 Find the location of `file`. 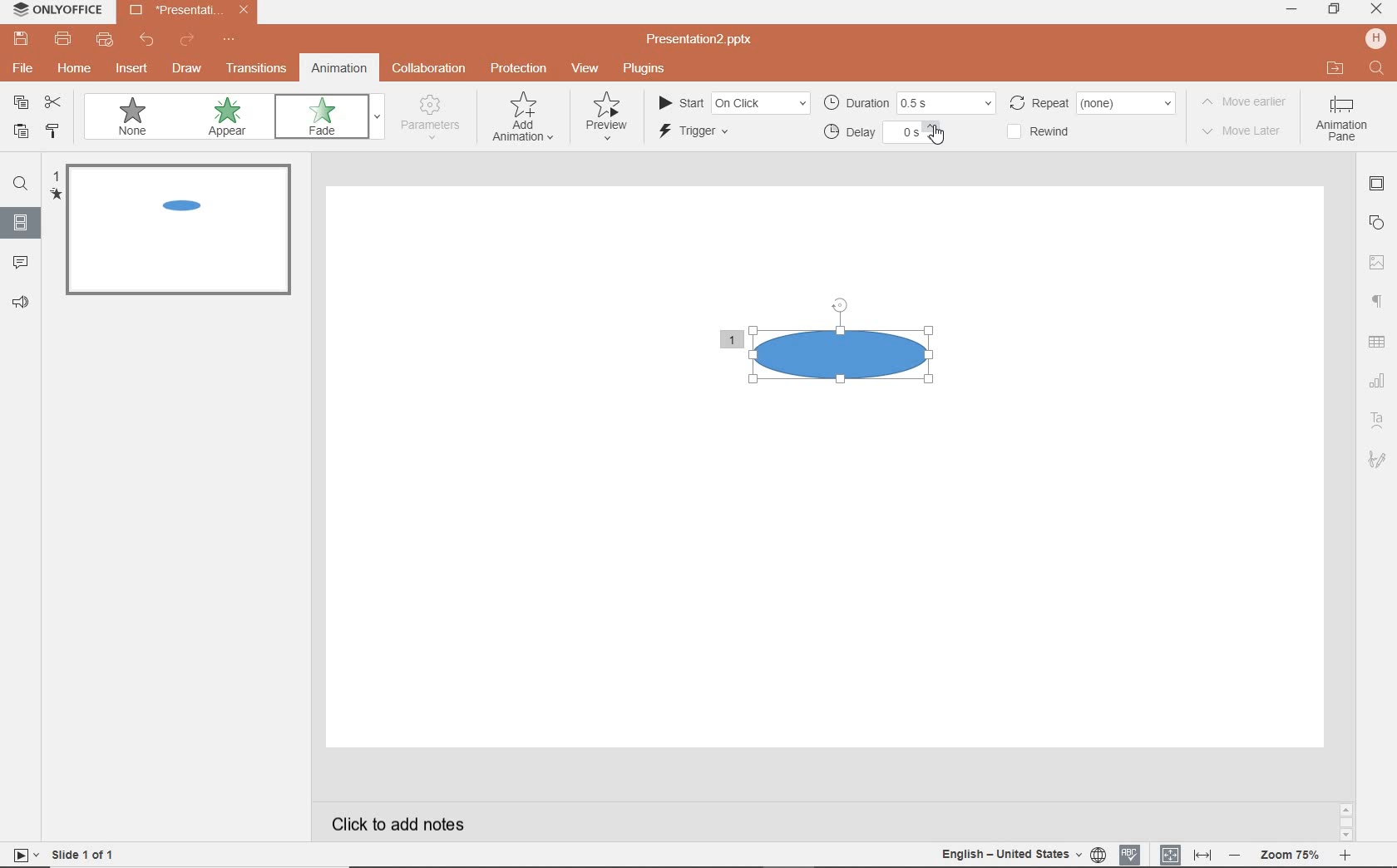

file is located at coordinates (23, 70).